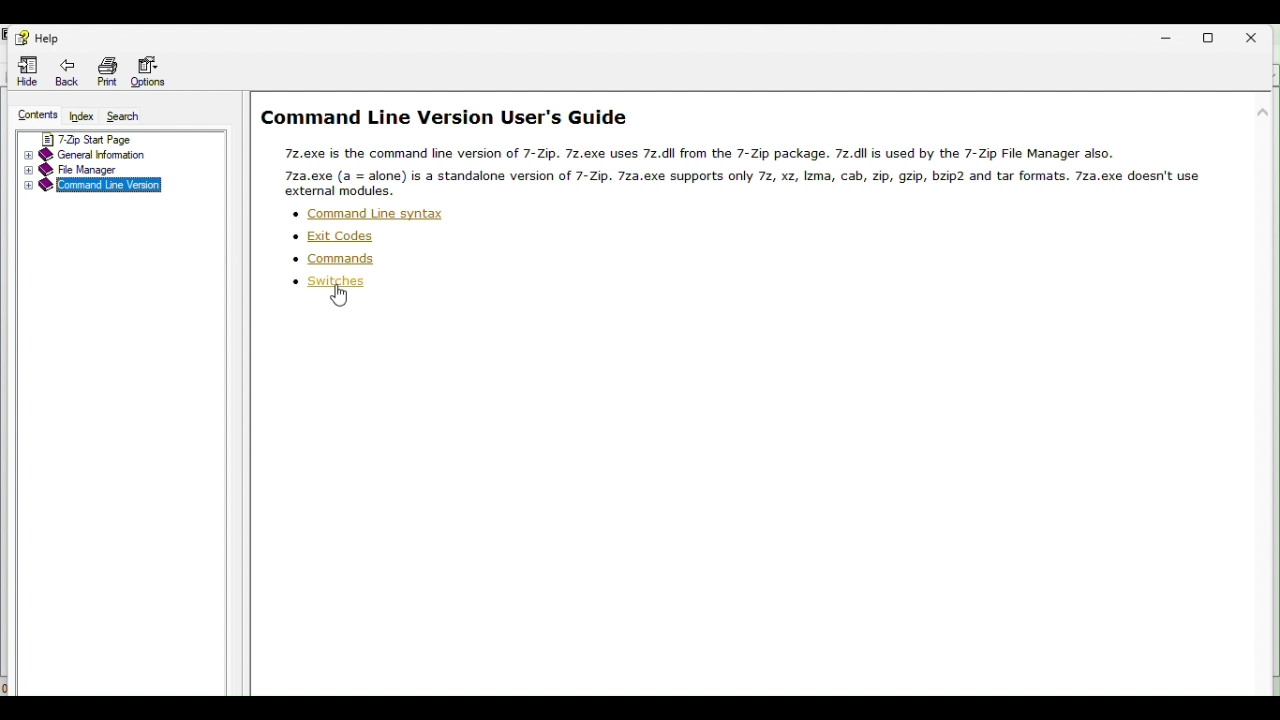 Image resolution: width=1280 pixels, height=720 pixels. What do you see at coordinates (128, 155) in the screenshot?
I see `General information` at bounding box center [128, 155].